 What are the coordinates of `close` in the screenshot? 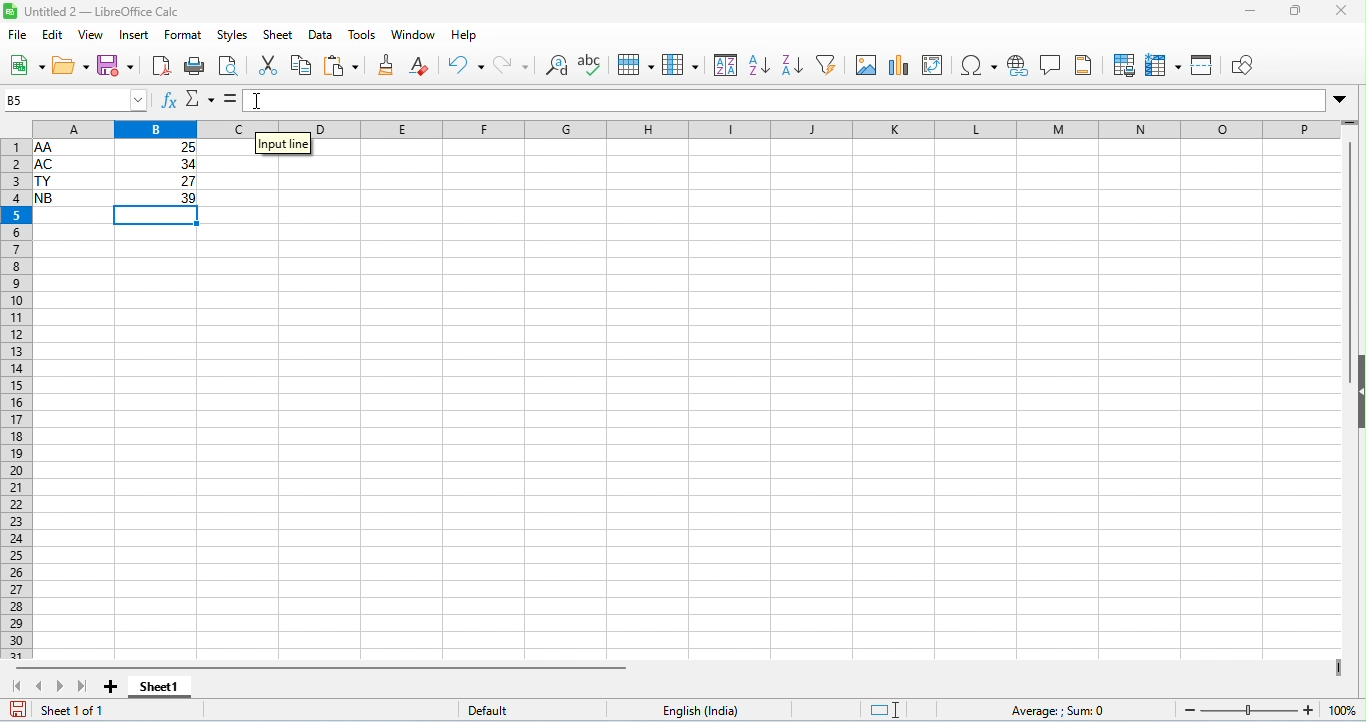 It's located at (1341, 11).